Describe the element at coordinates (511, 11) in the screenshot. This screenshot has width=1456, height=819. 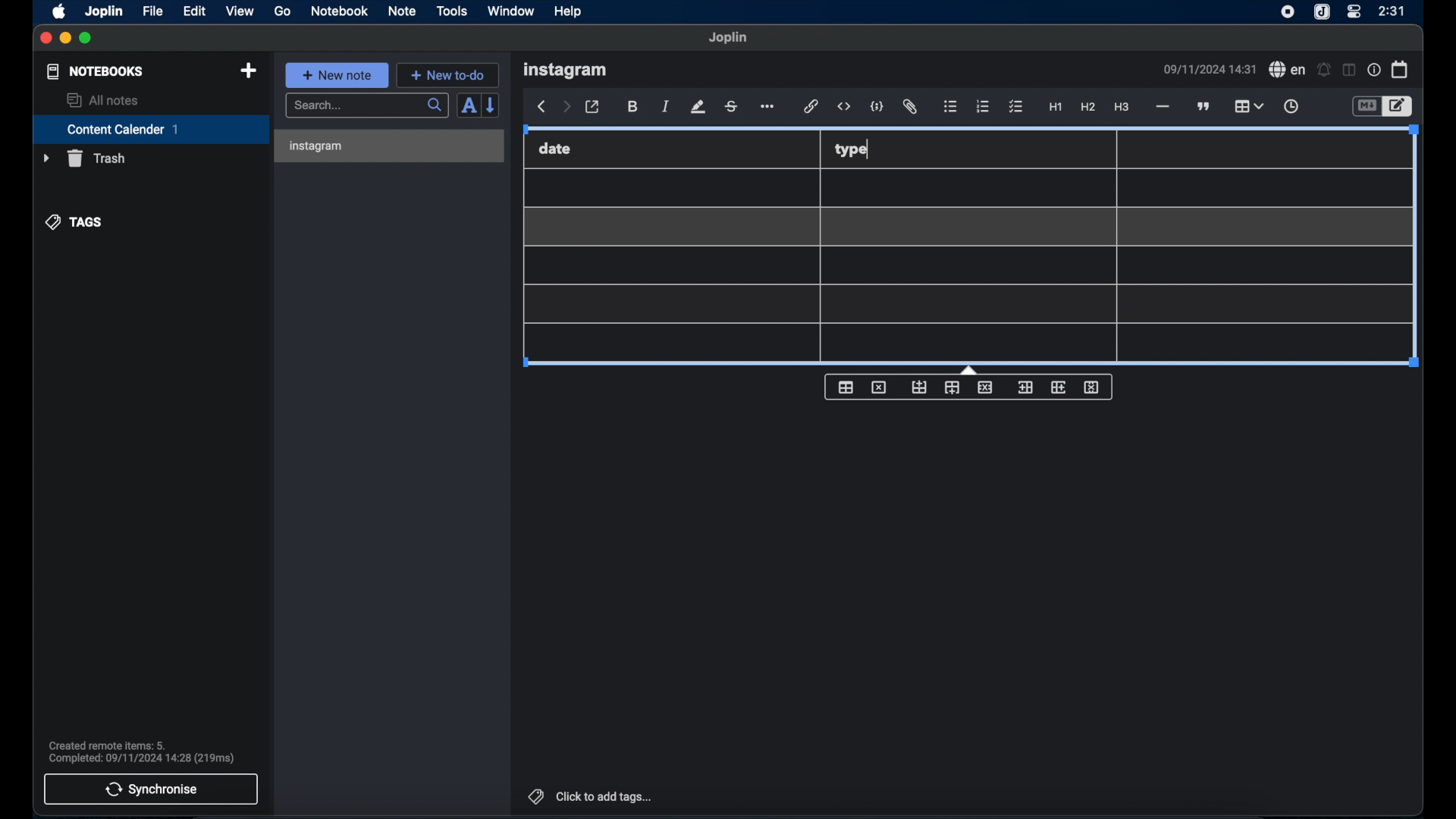
I see `window` at that location.